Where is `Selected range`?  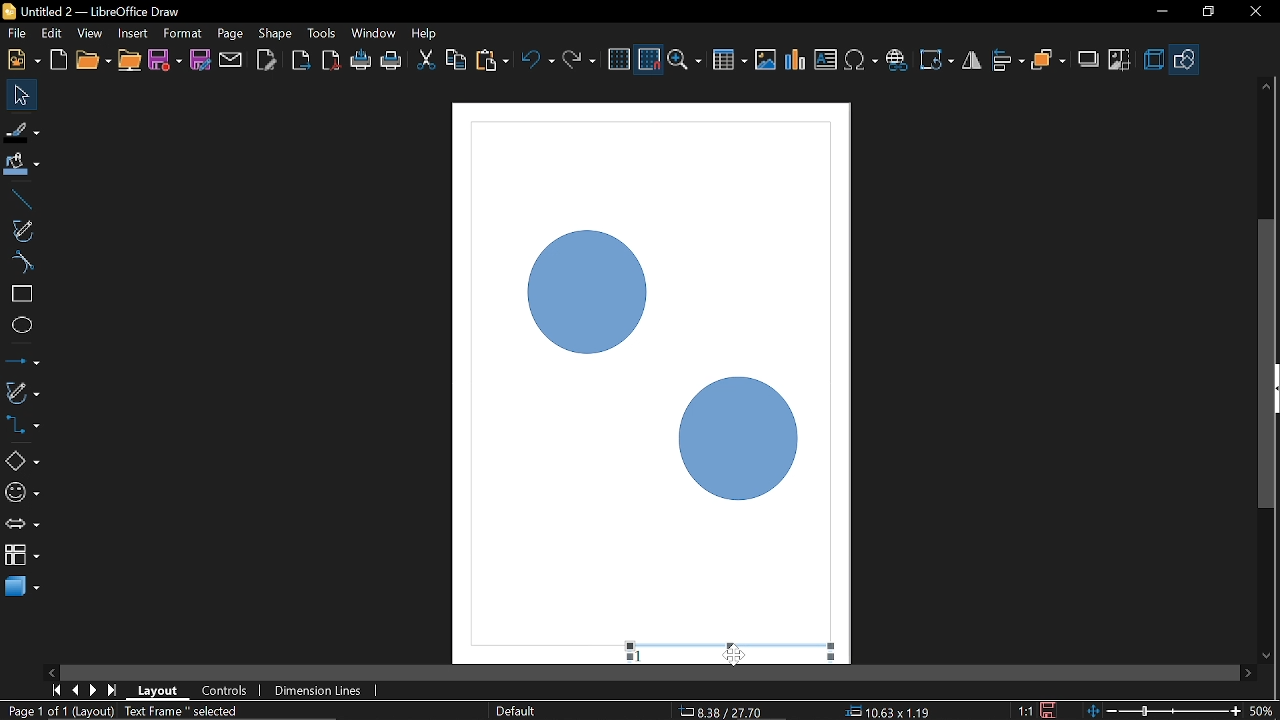 Selected range is located at coordinates (732, 647).